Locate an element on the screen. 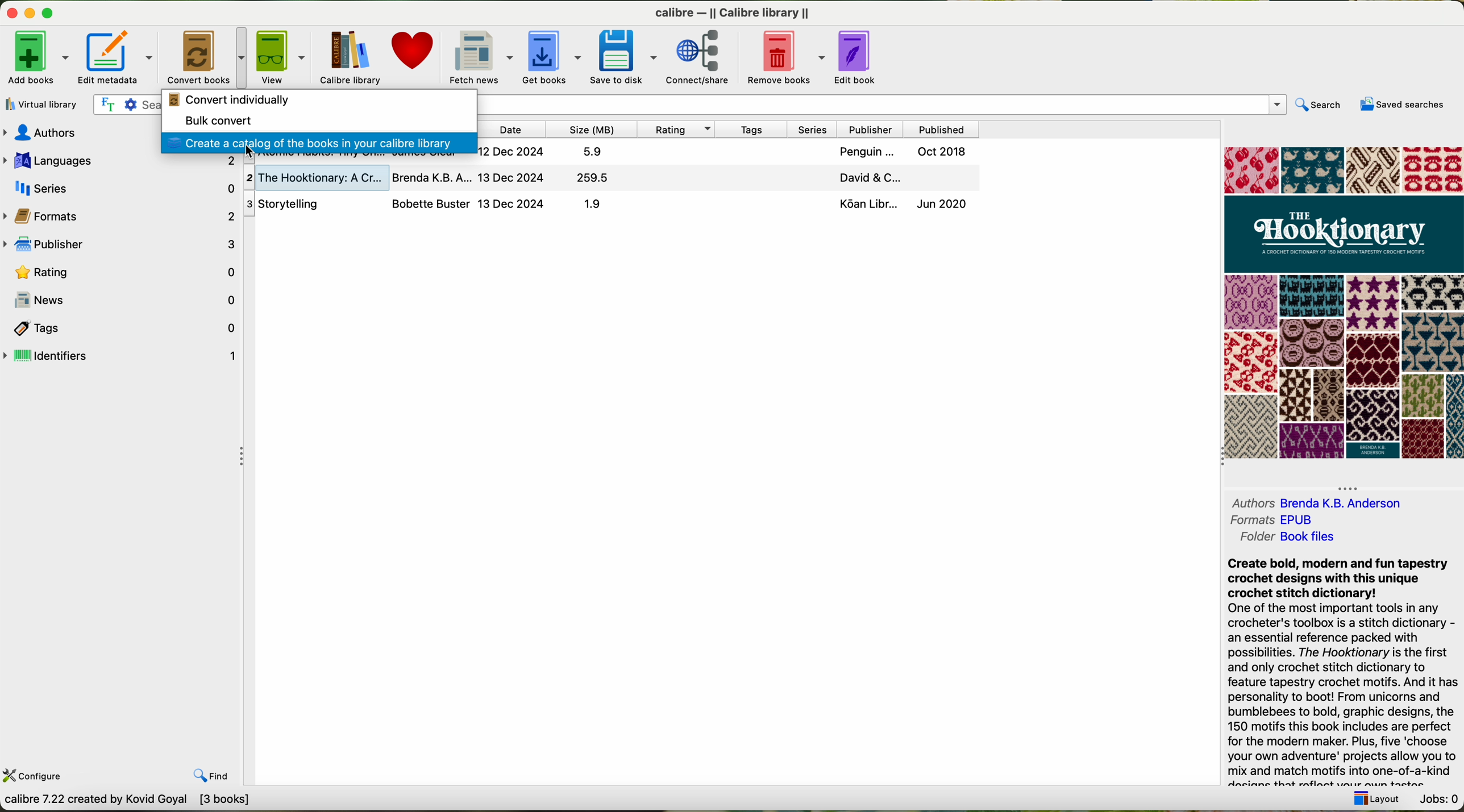 The image size is (1464, 812). publisher is located at coordinates (870, 130).